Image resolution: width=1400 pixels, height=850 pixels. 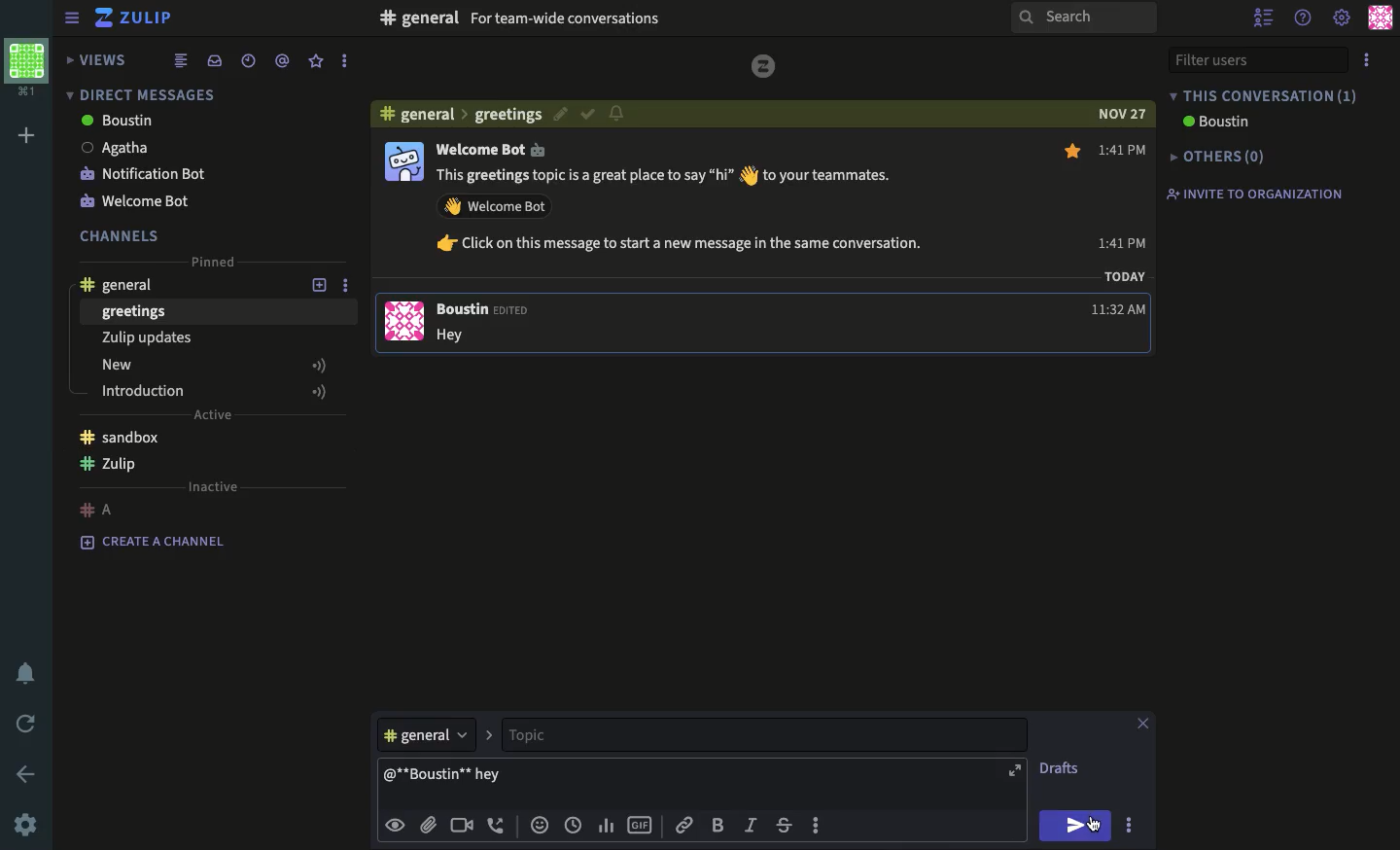 What do you see at coordinates (1099, 825) in the screenshot?
I see `Cursor` at bounding box center [1099, 825].